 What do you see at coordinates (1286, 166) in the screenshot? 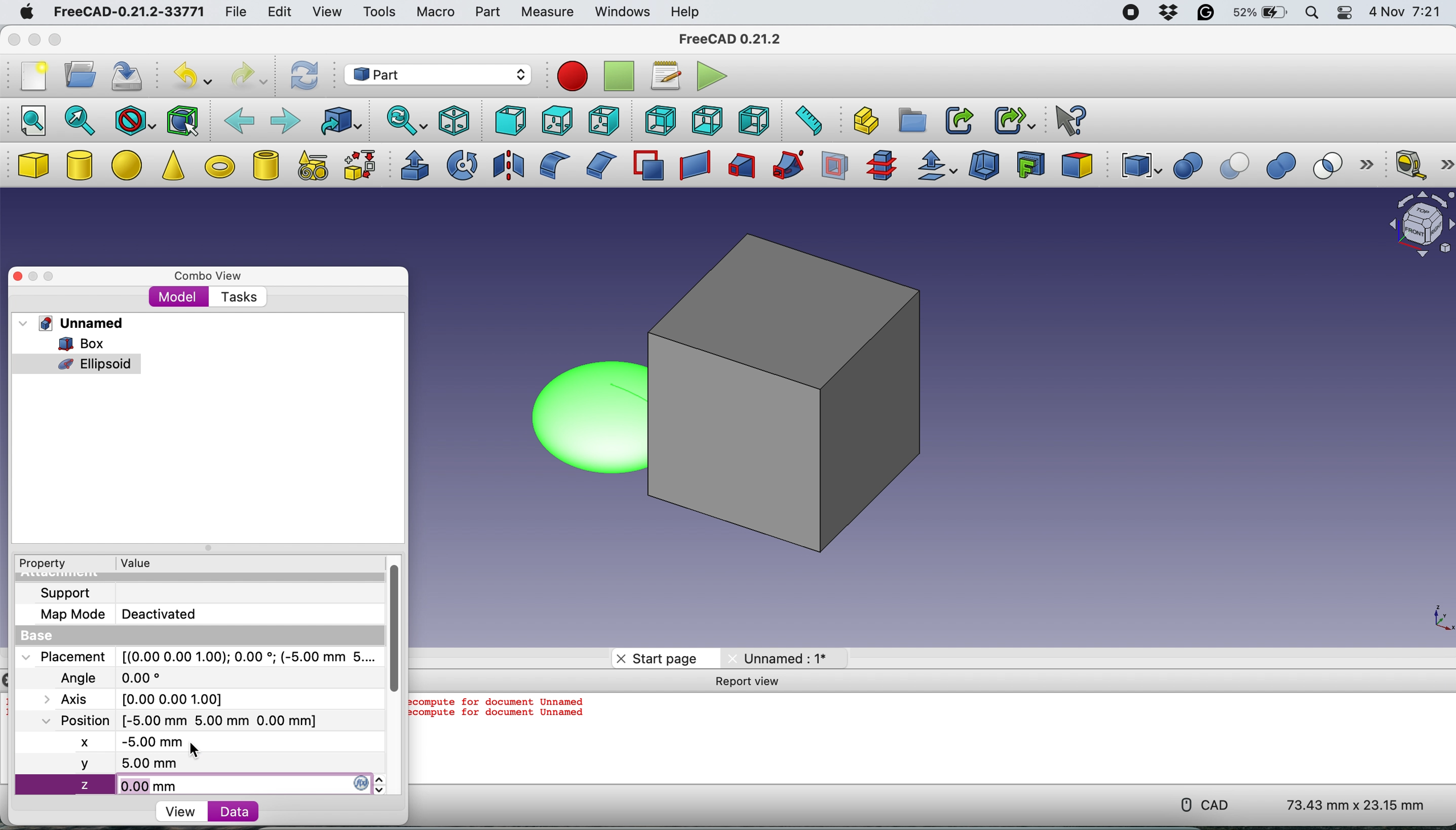
I see `union` at bounding box center [1286, 166].